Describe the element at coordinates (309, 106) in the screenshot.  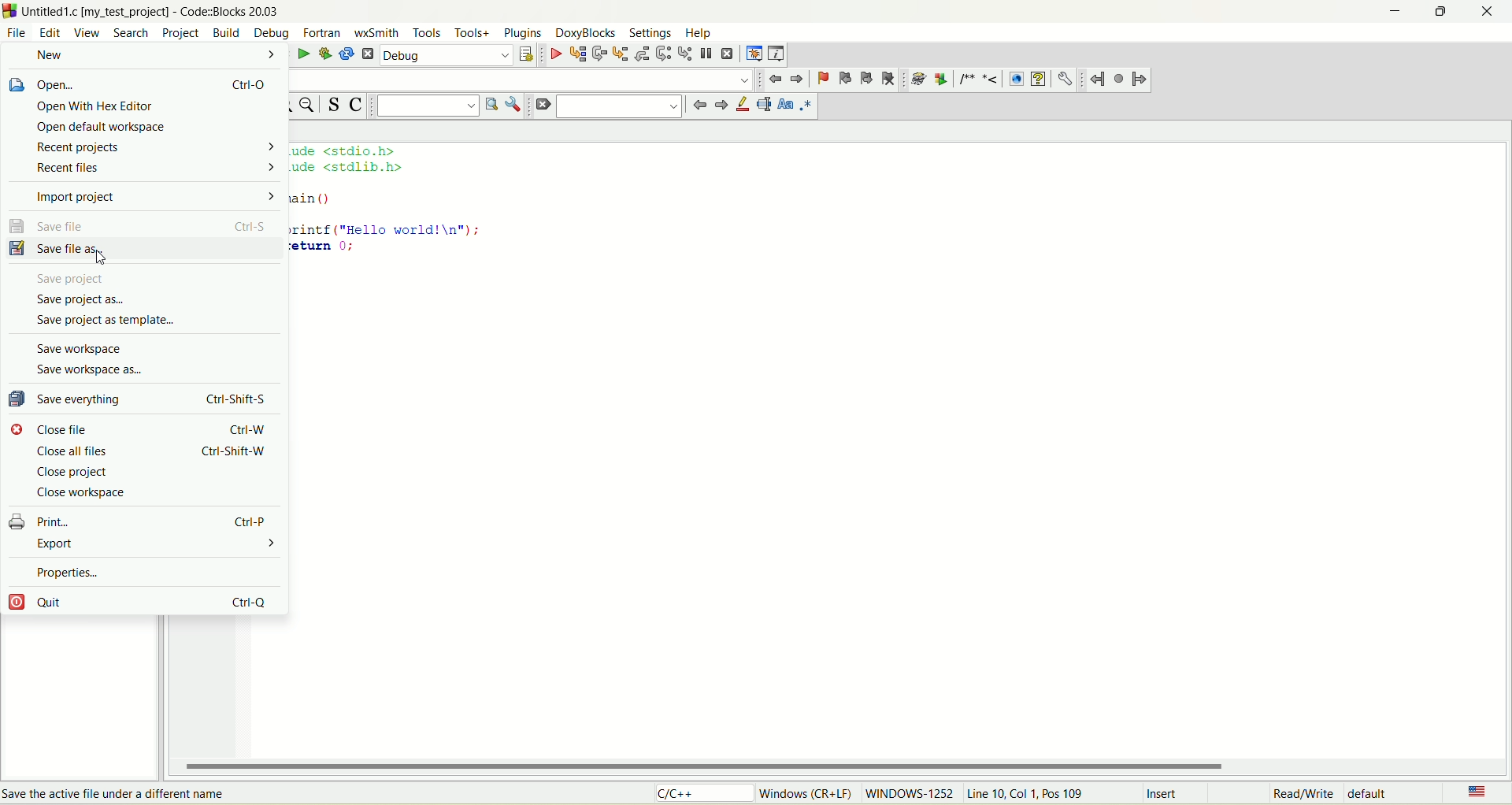
I see `zoom out` at that location.